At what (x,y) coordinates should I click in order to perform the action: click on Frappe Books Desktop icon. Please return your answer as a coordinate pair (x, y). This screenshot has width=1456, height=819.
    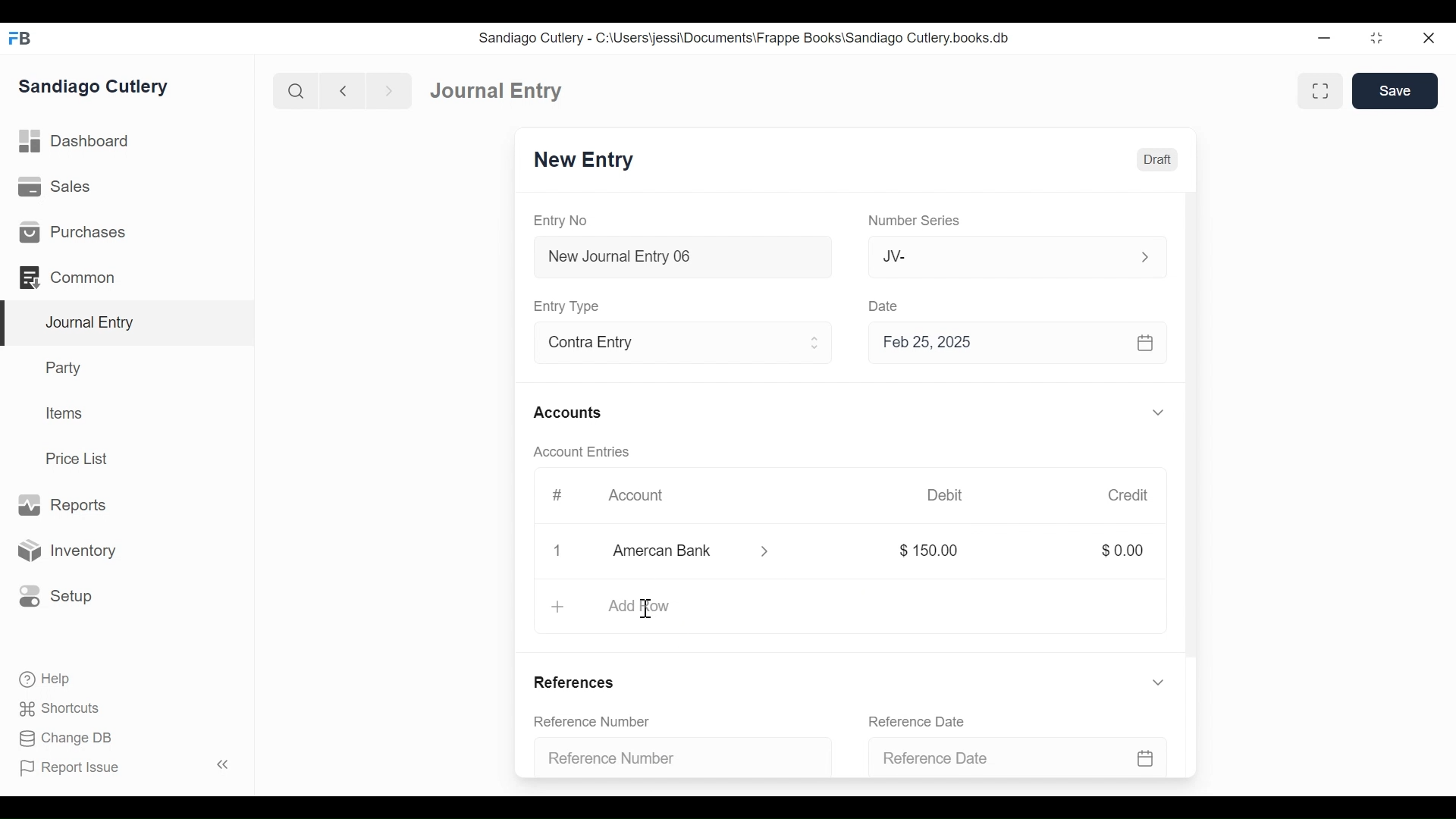
    Looking at the image, I should click on (21, 39).